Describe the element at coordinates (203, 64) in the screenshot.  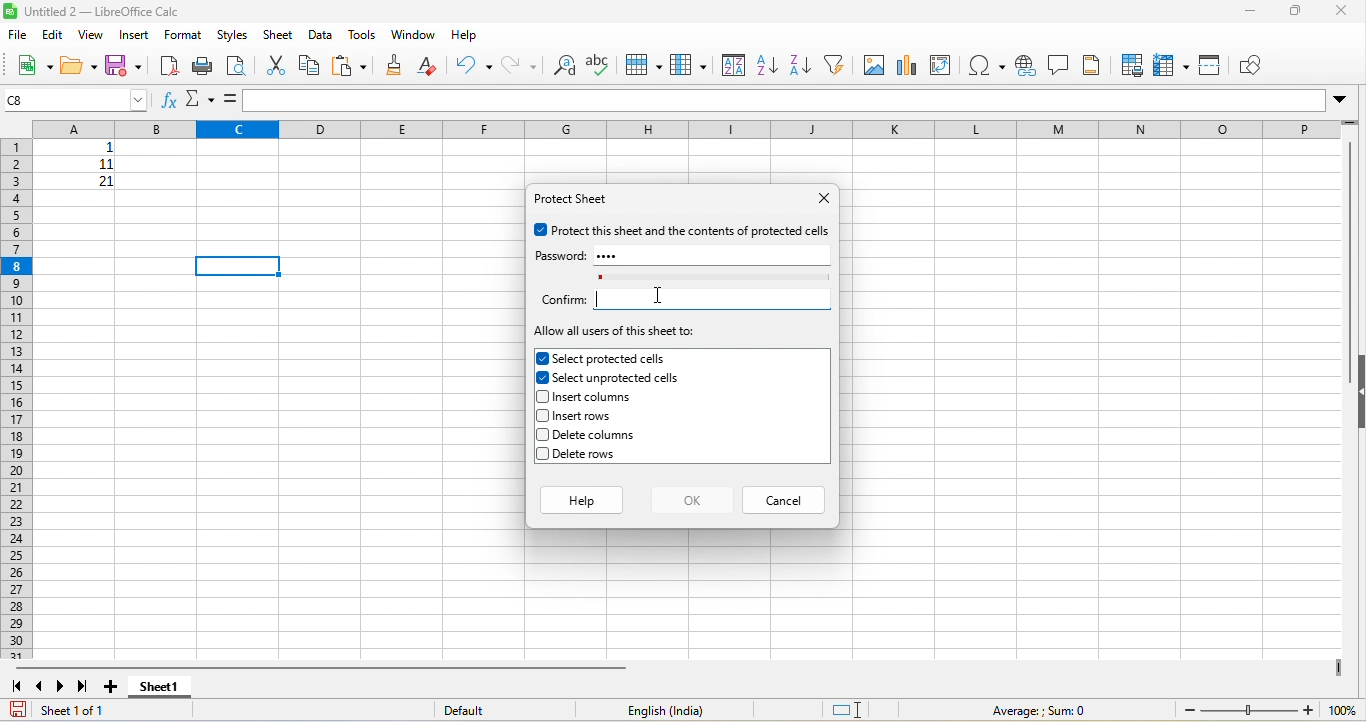
I see `print` at that location.